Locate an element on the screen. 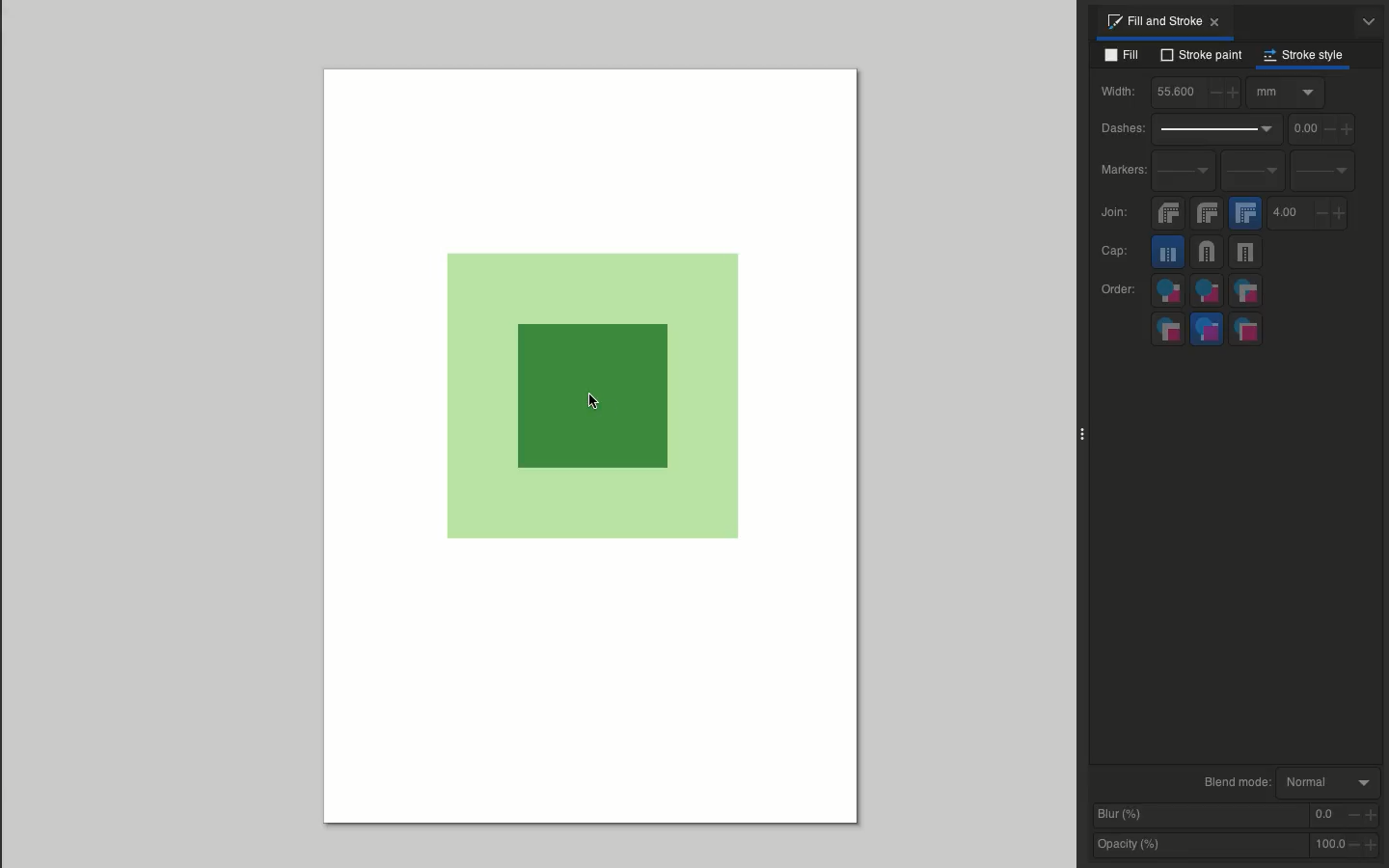 The width and height of the screenshot is (1389, 868). Fill, stroke, markers is located at coordinates (1169, 292).